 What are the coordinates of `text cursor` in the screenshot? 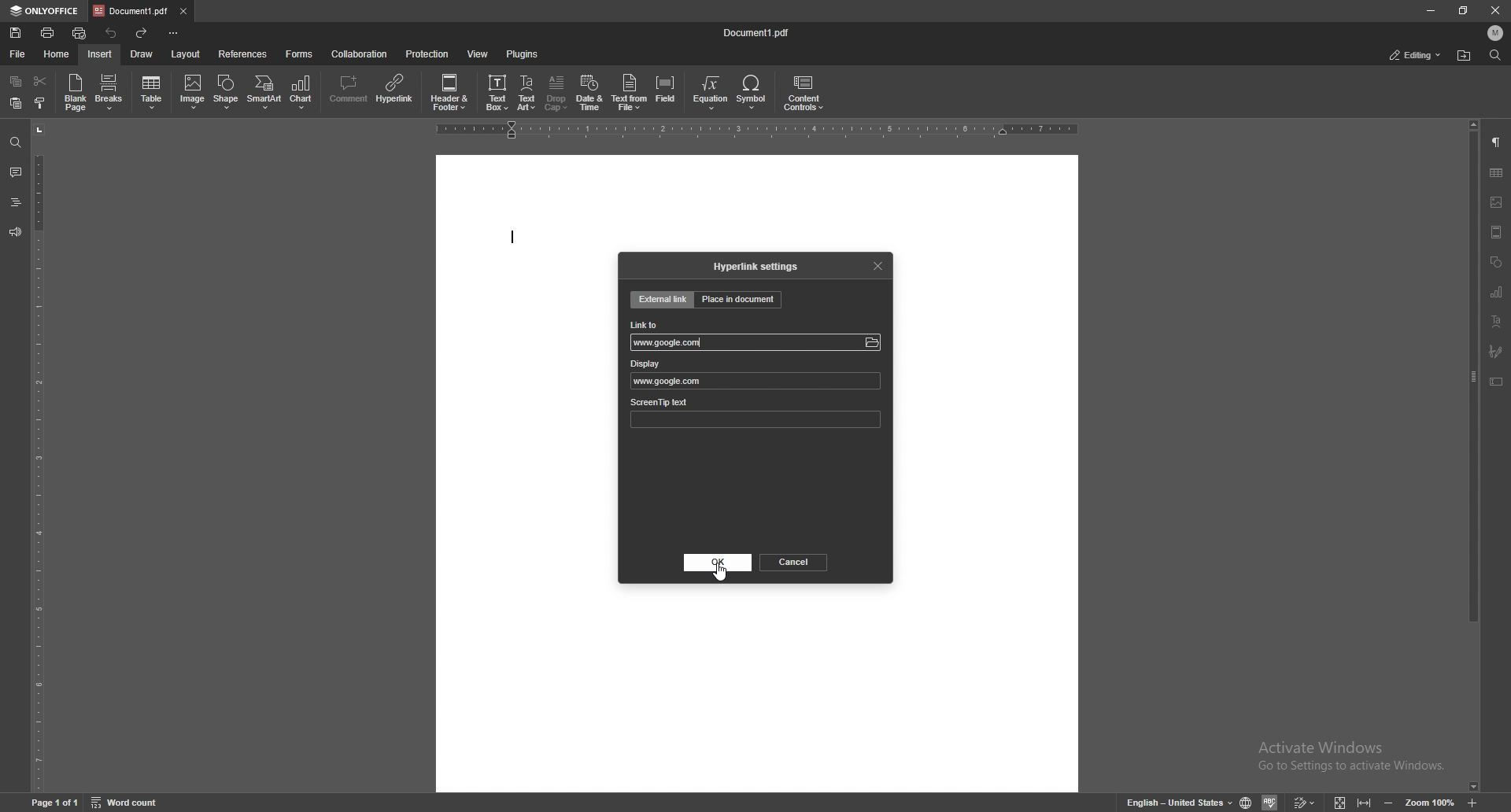 It's located at (512, 238).